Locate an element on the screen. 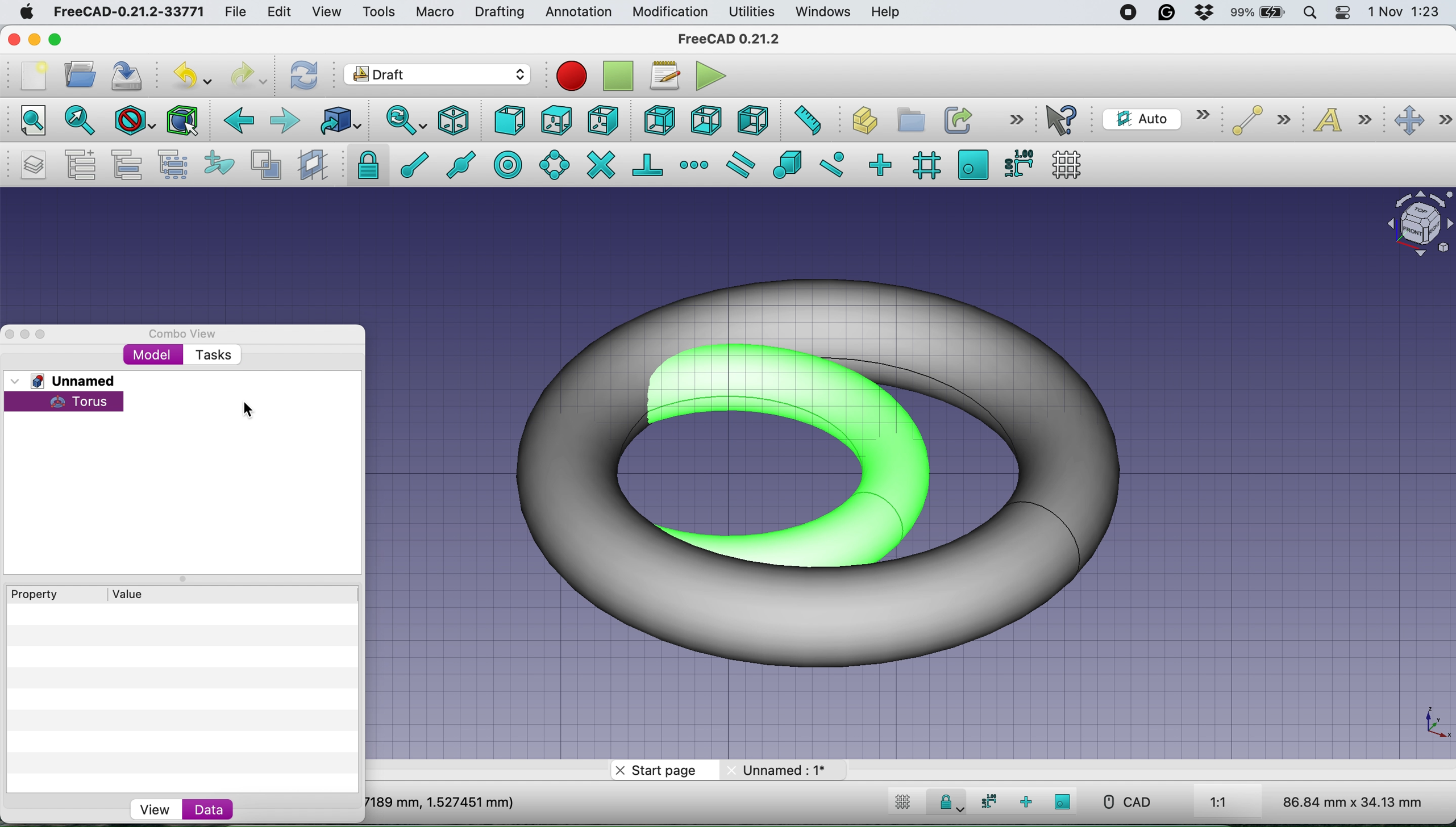  current working plane is located at coordinates (1155, 118).